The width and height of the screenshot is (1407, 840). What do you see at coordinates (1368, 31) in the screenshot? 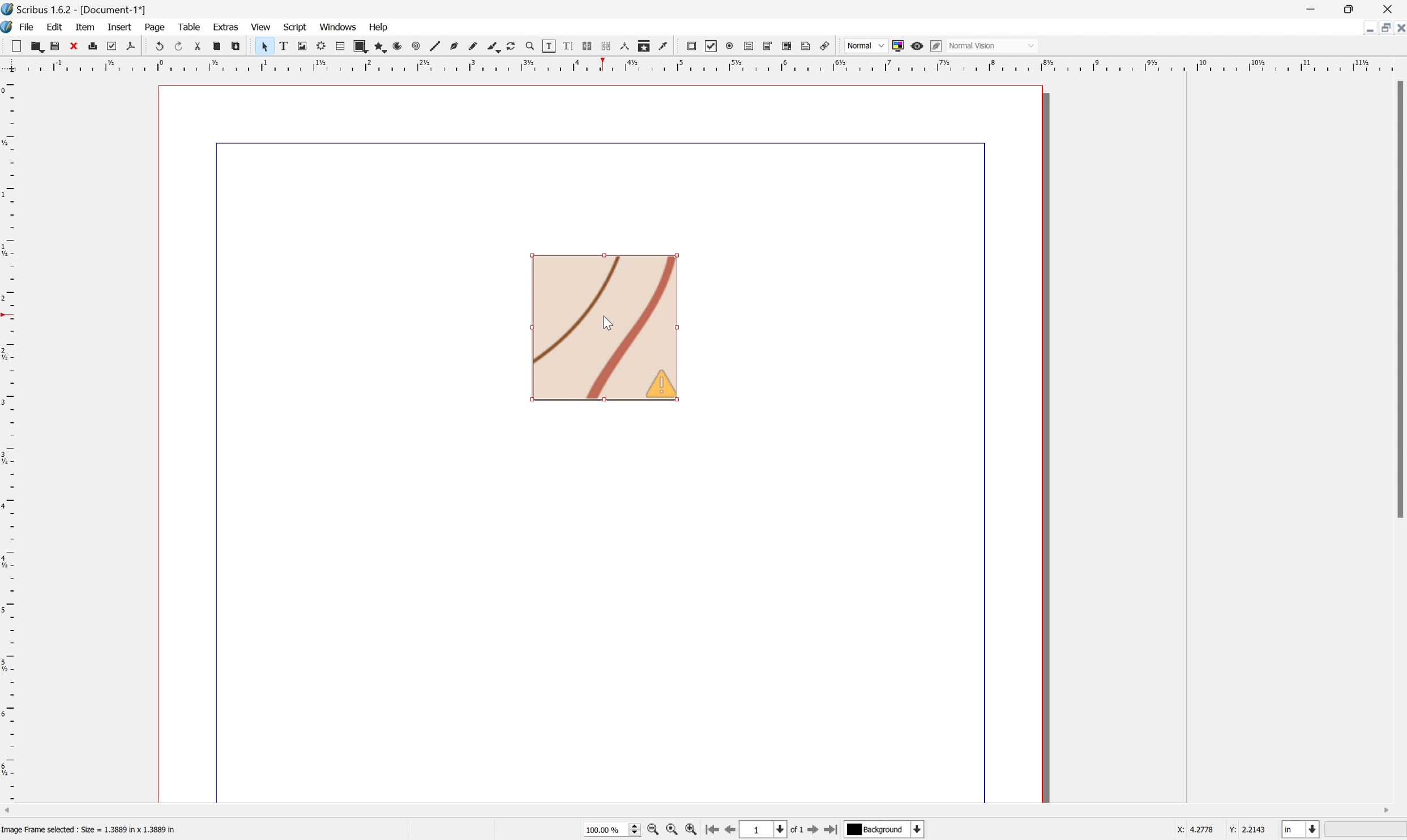
I see `Restore Down` at bounding box center [1368, 31].